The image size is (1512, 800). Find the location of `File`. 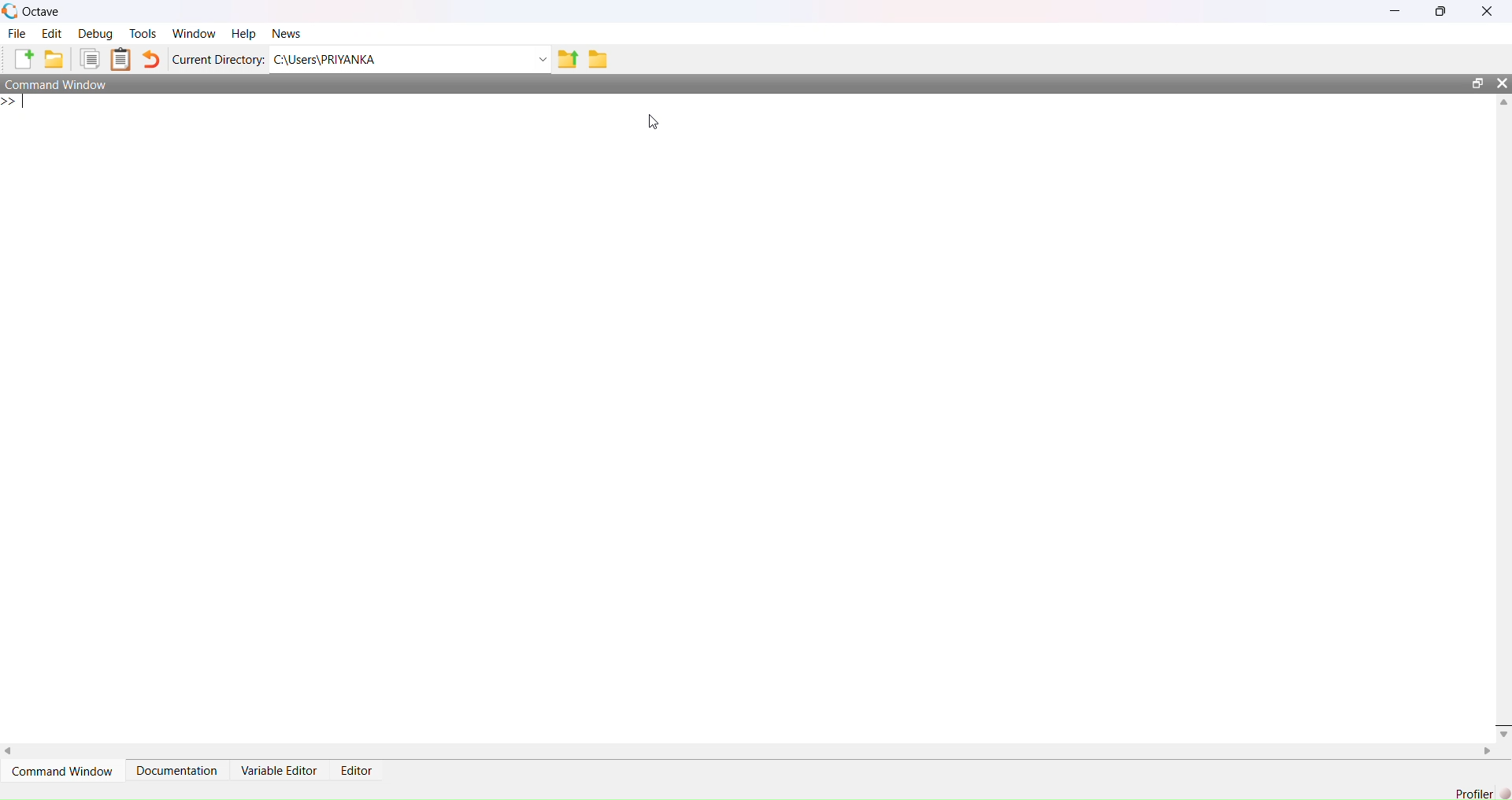

File is located at coordinates (14, 32).